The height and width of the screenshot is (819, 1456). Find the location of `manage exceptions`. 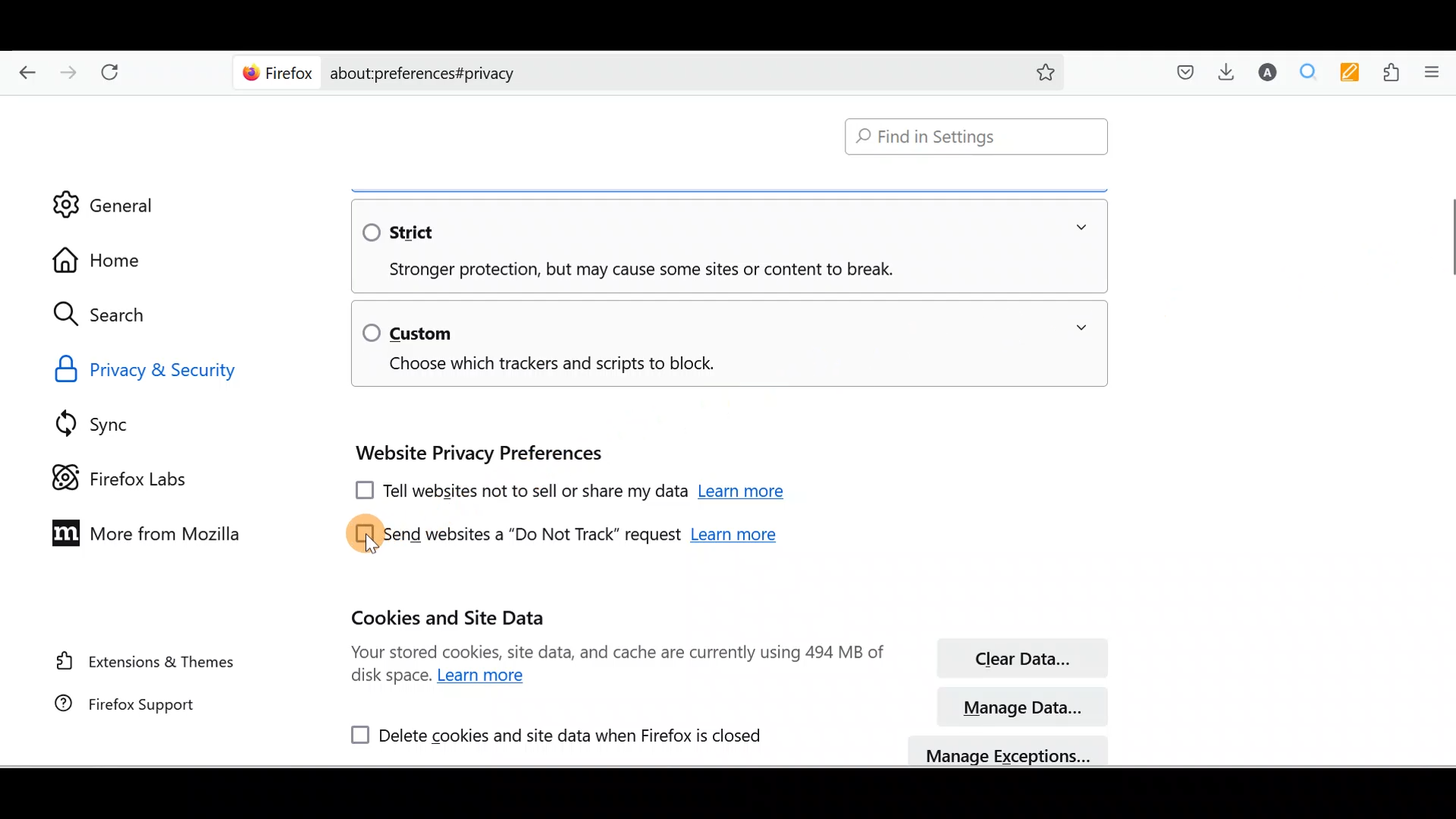

manage exceptions is located at coordinates (1010, 751).